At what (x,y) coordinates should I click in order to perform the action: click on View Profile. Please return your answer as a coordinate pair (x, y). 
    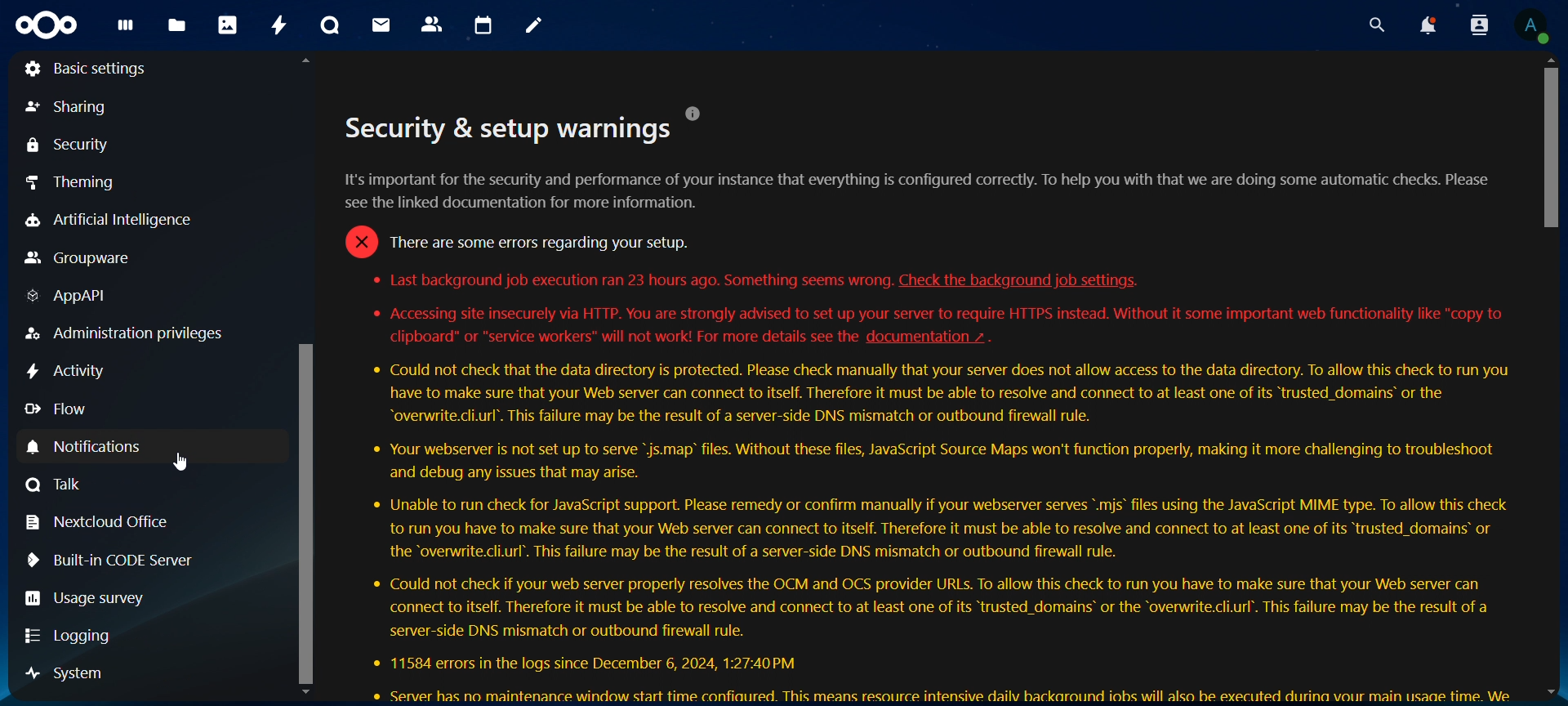
    Looking at the image, I should click on (1537, 26).